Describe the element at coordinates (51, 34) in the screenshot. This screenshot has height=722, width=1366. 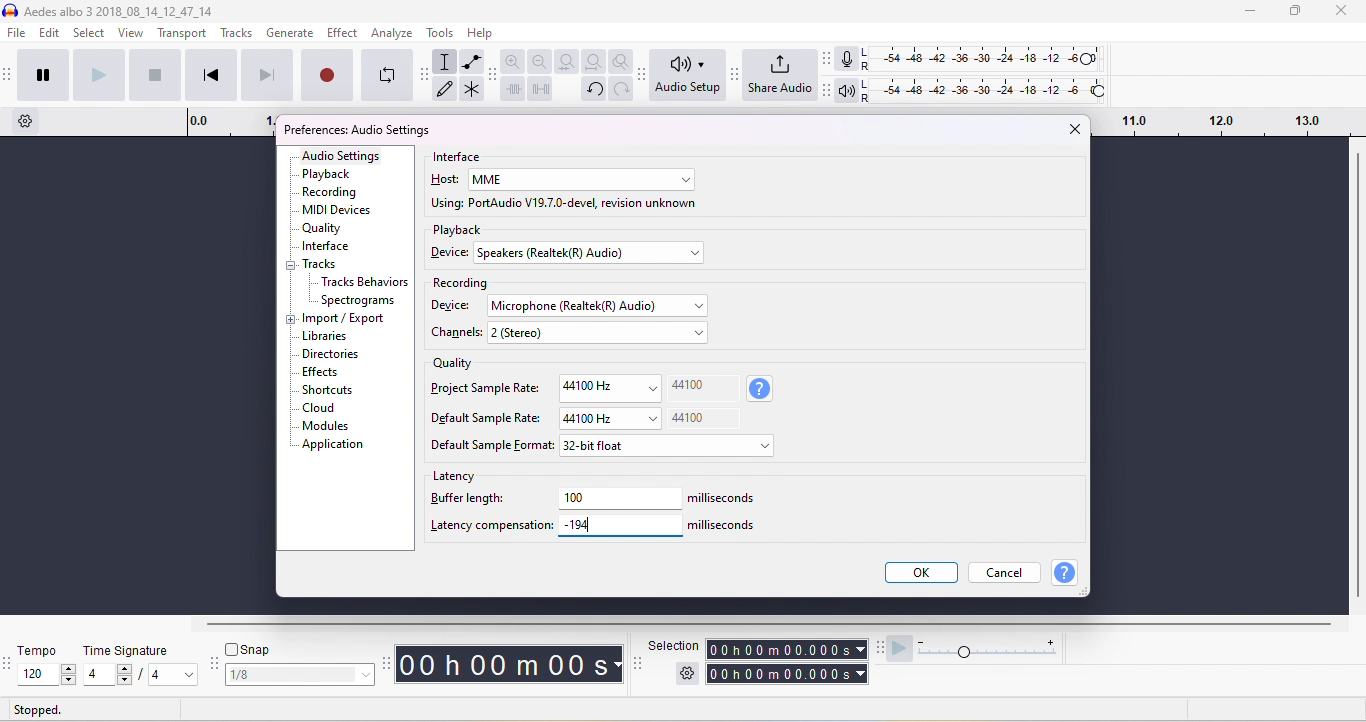
I see `edit` at that location.